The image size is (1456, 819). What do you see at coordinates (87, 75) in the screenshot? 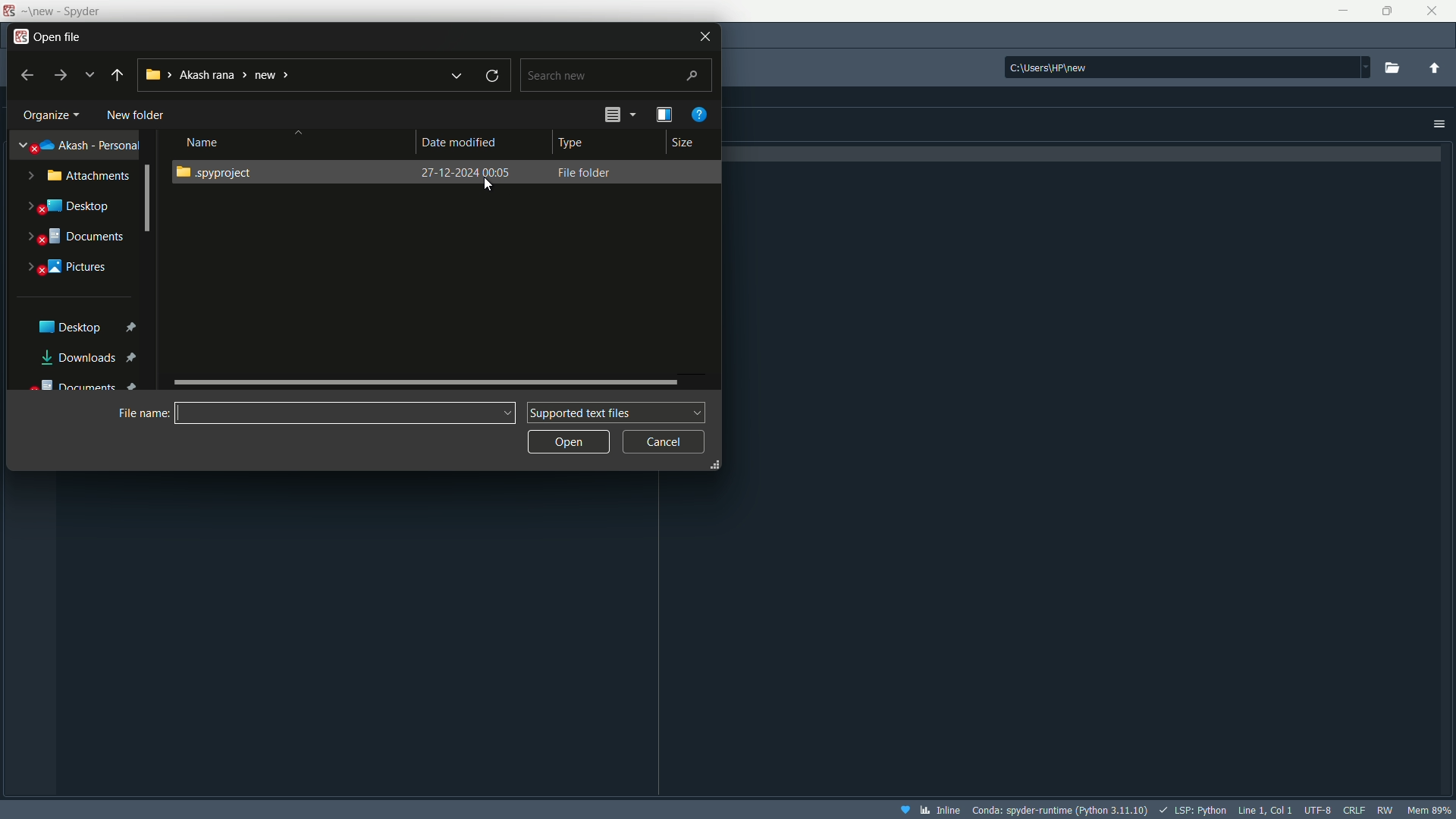
I see `recent locations` at bounding box center [87, 75].